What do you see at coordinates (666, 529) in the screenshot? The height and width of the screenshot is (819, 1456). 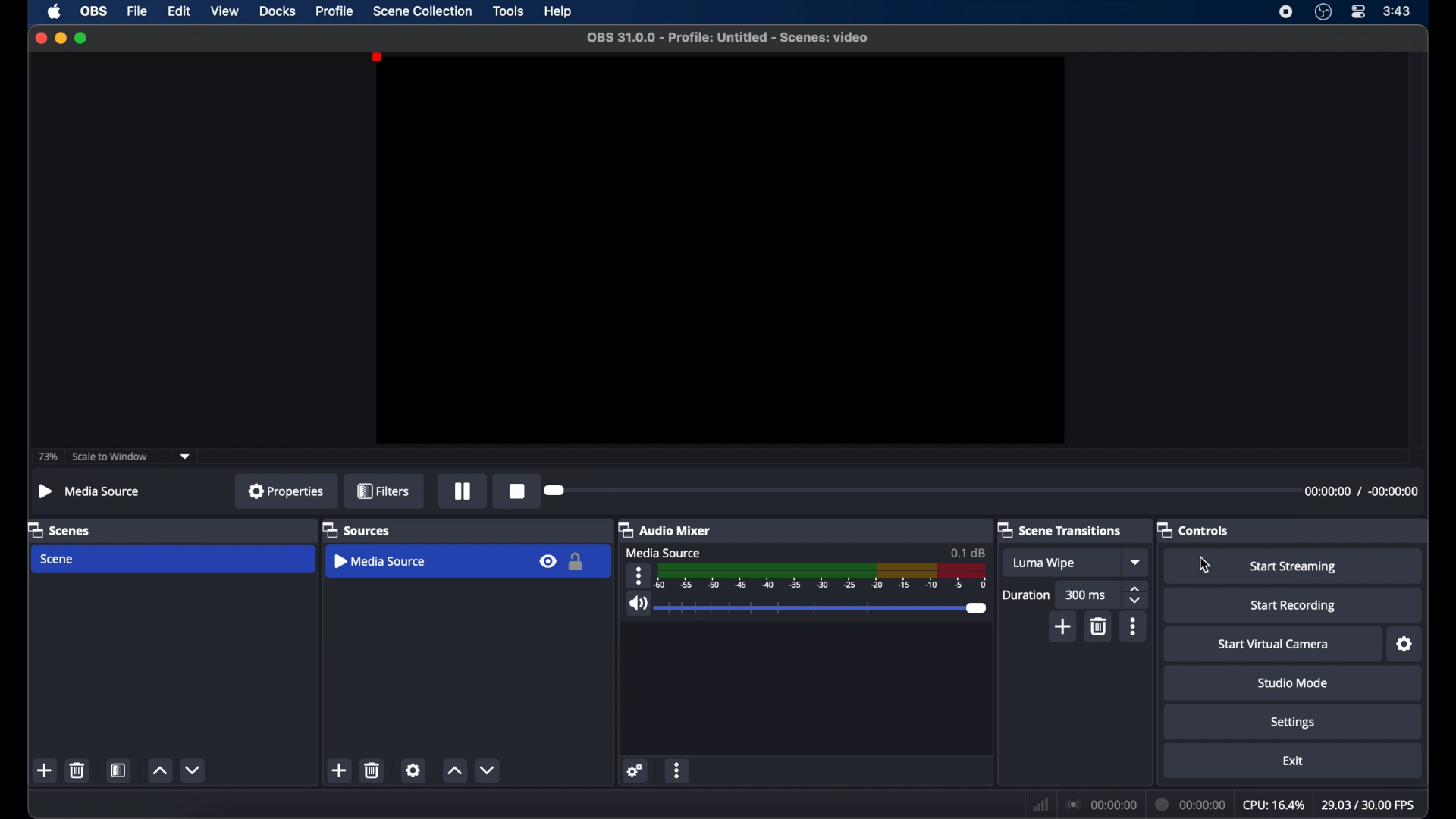 I see `audio mixer` at bounding box center [666, 529].